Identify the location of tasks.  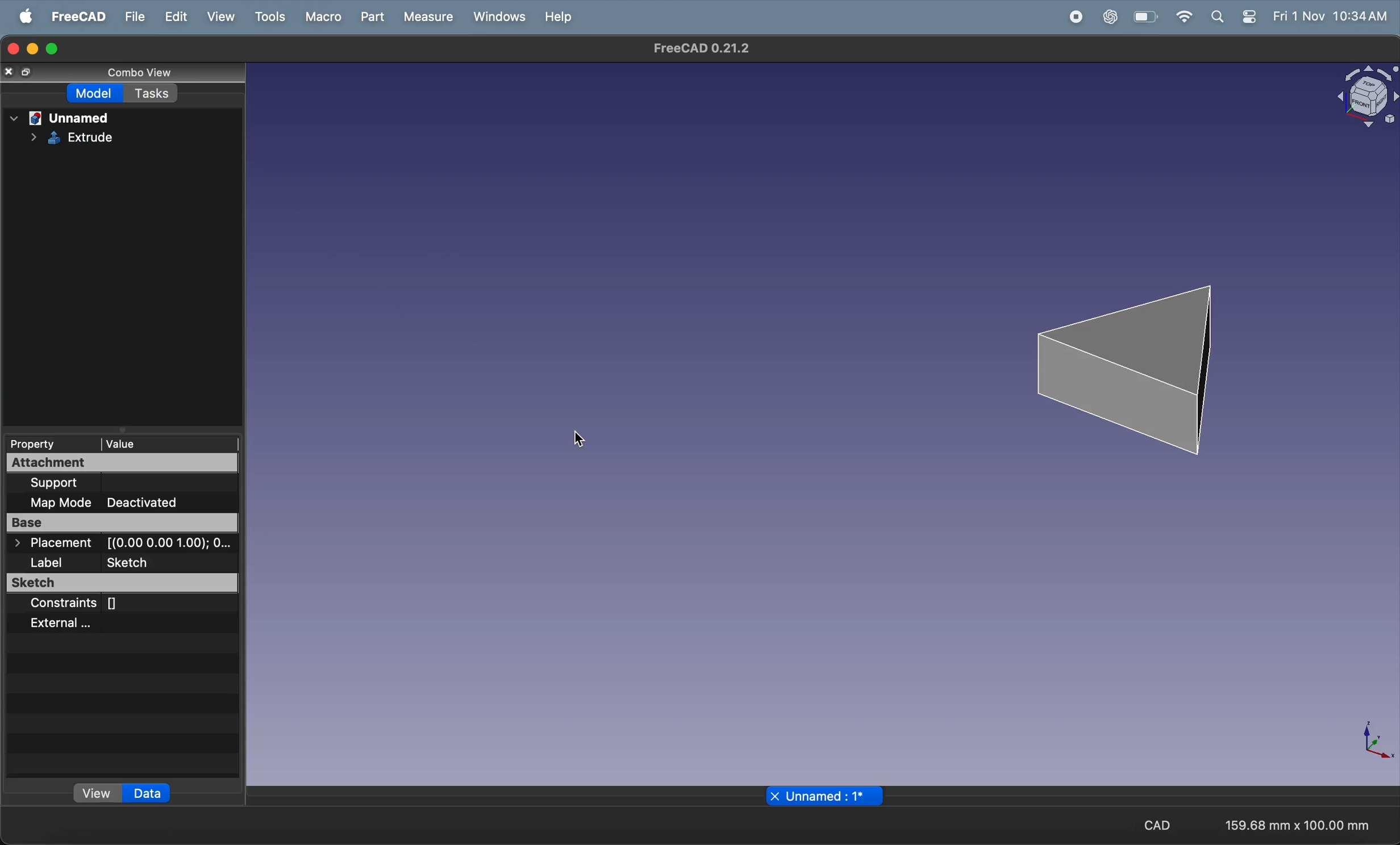
(155, 93).